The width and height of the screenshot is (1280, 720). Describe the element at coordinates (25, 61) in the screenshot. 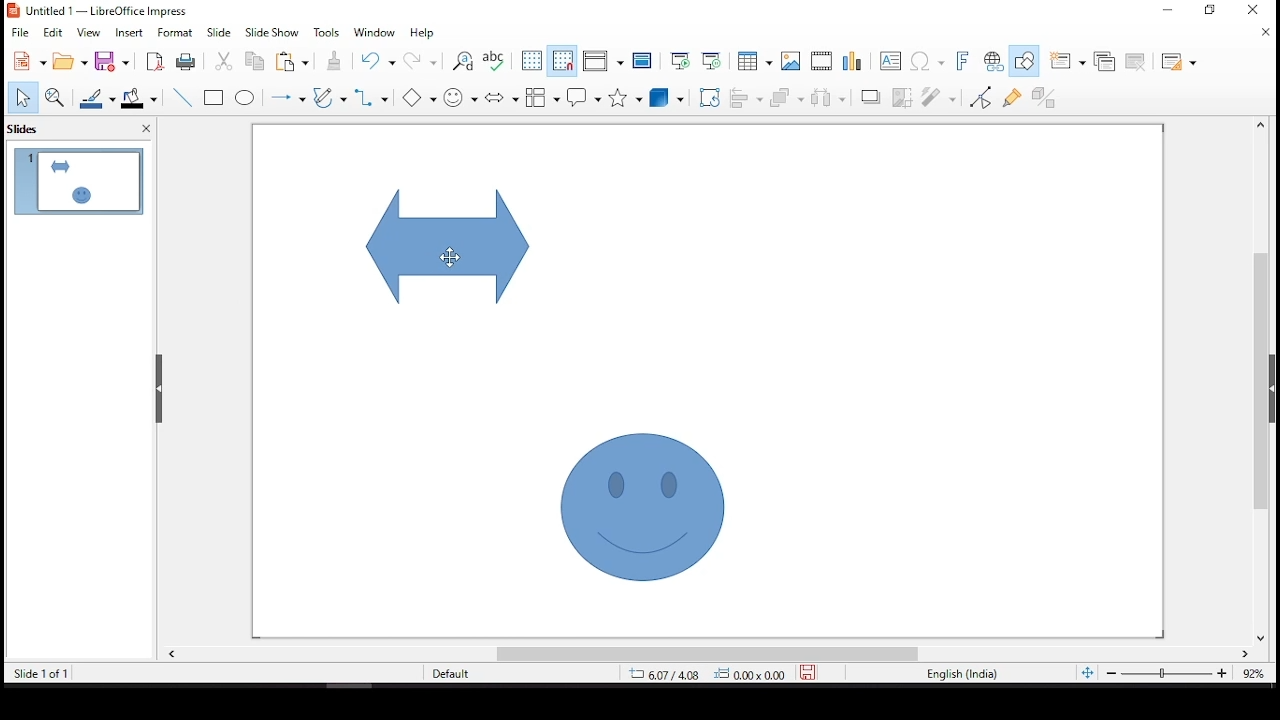

I see `new` at that location.